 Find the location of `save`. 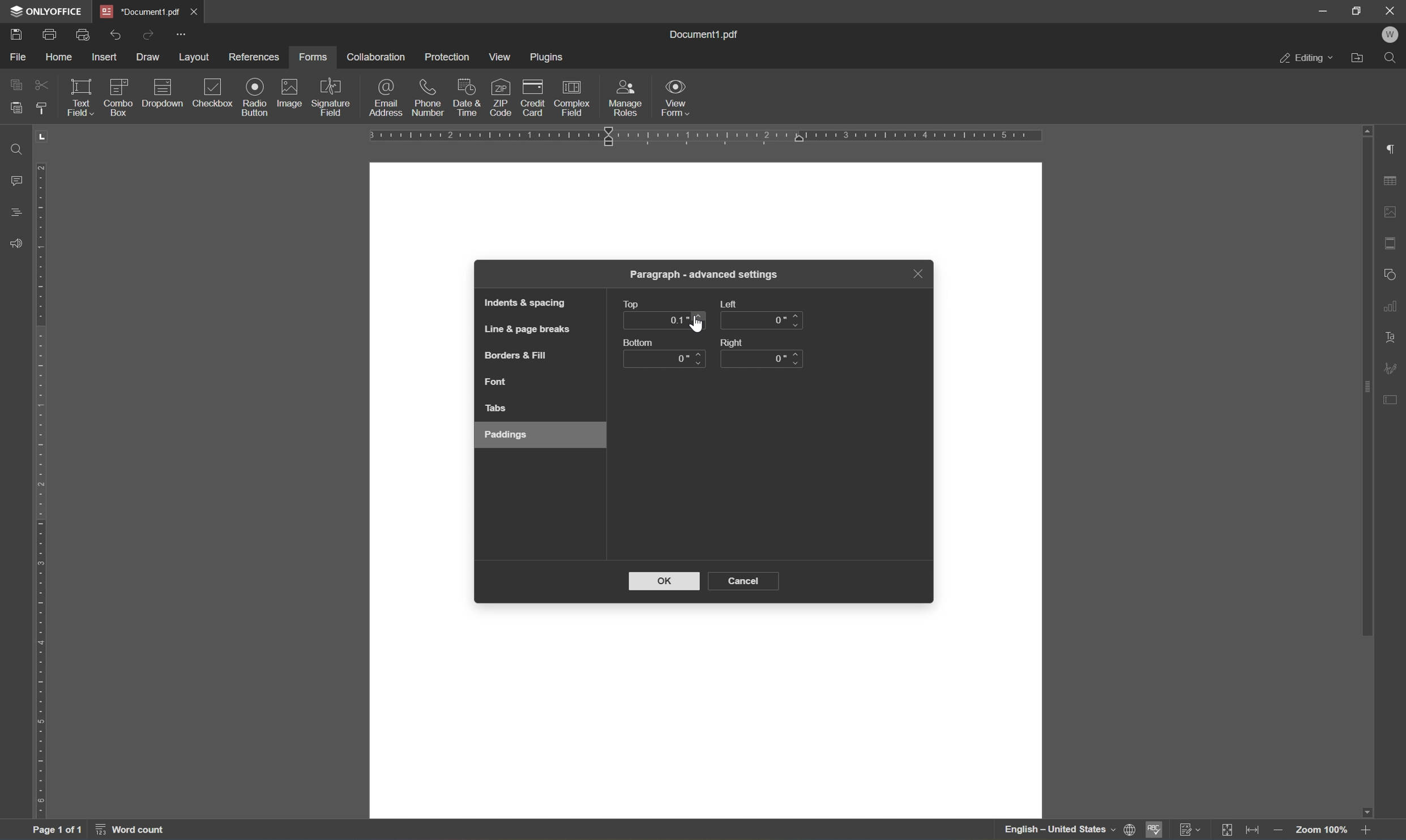

save is located at coordinates (21, 34).